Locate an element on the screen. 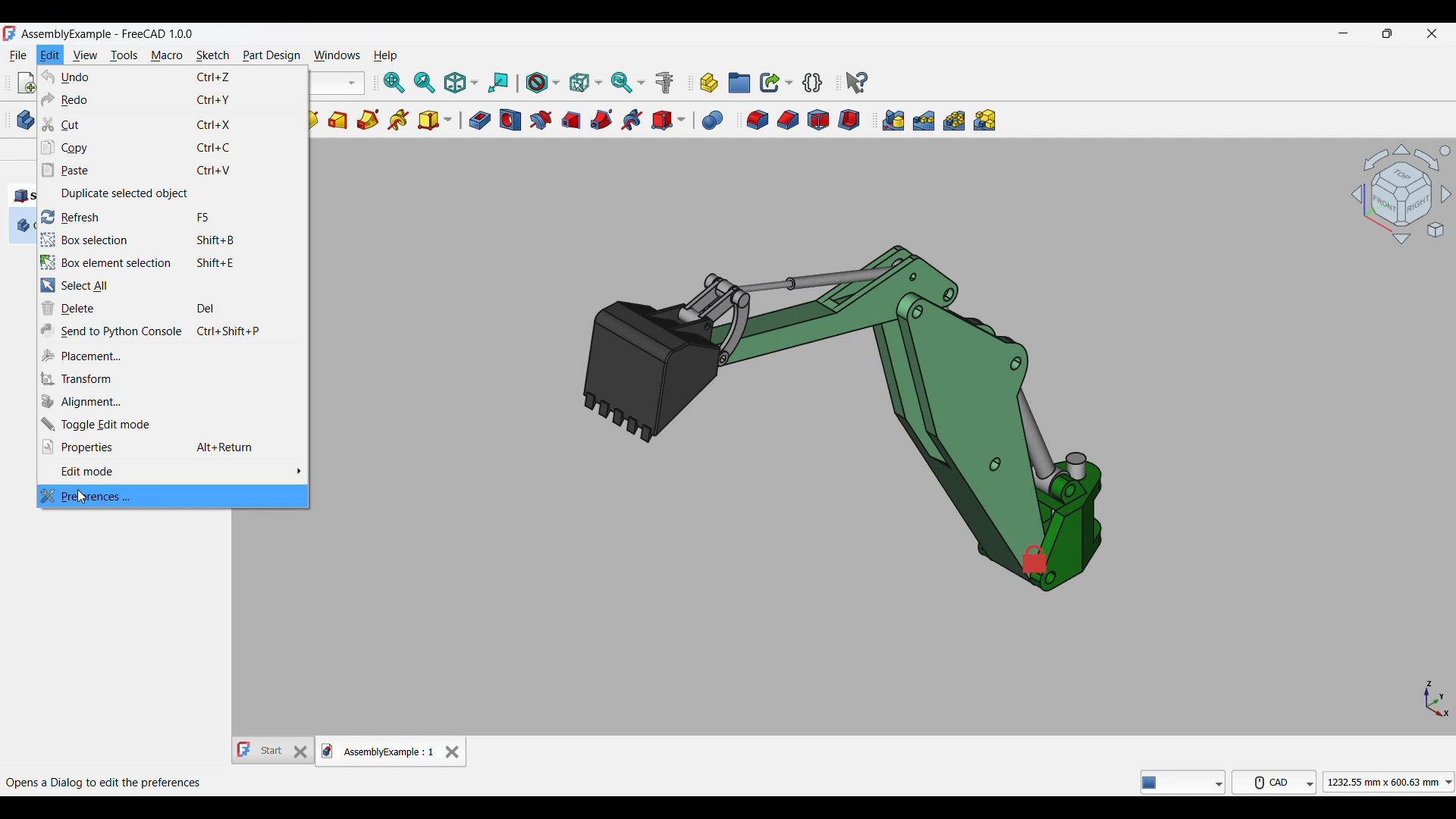 The height and width of the screenshot is (819, 1456). AssemblyExample - FreeCAD 1.0.0 is located at coordinates (108, 34).